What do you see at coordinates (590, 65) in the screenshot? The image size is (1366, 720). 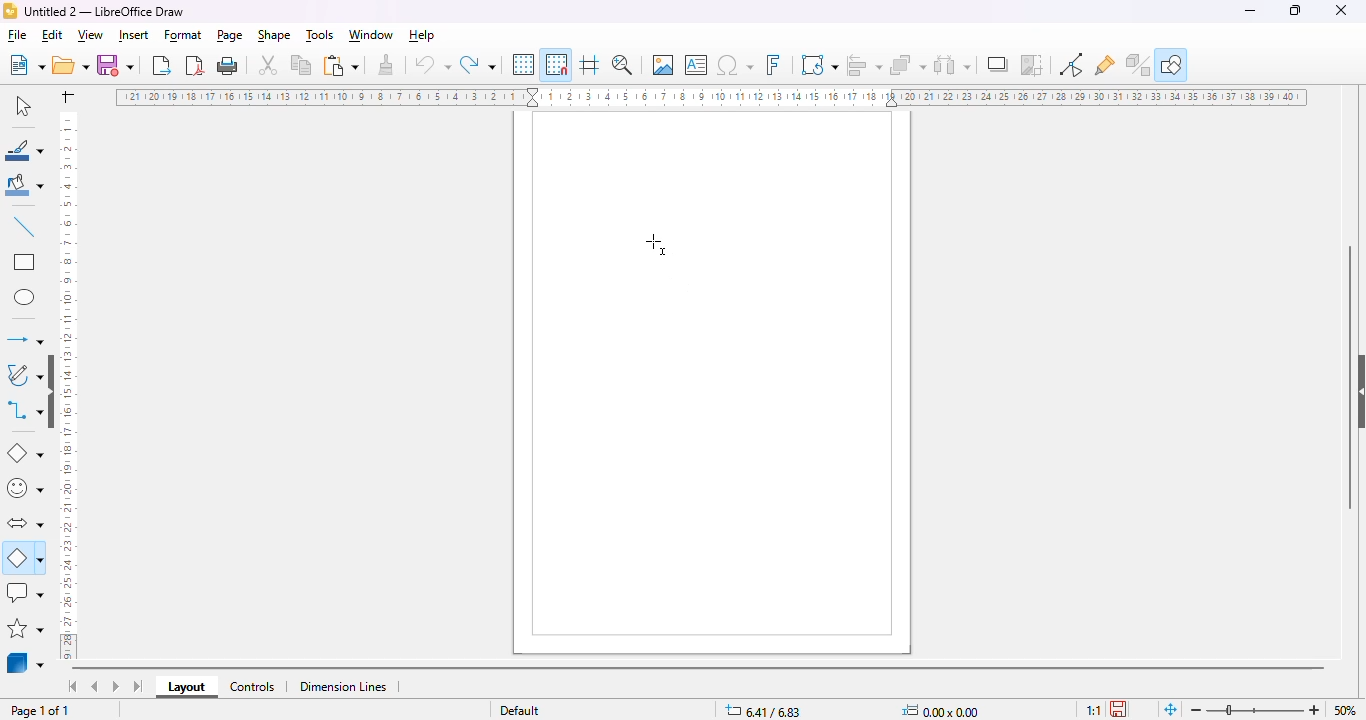 I see `helplines while moving` at bounding box center [590, 65].